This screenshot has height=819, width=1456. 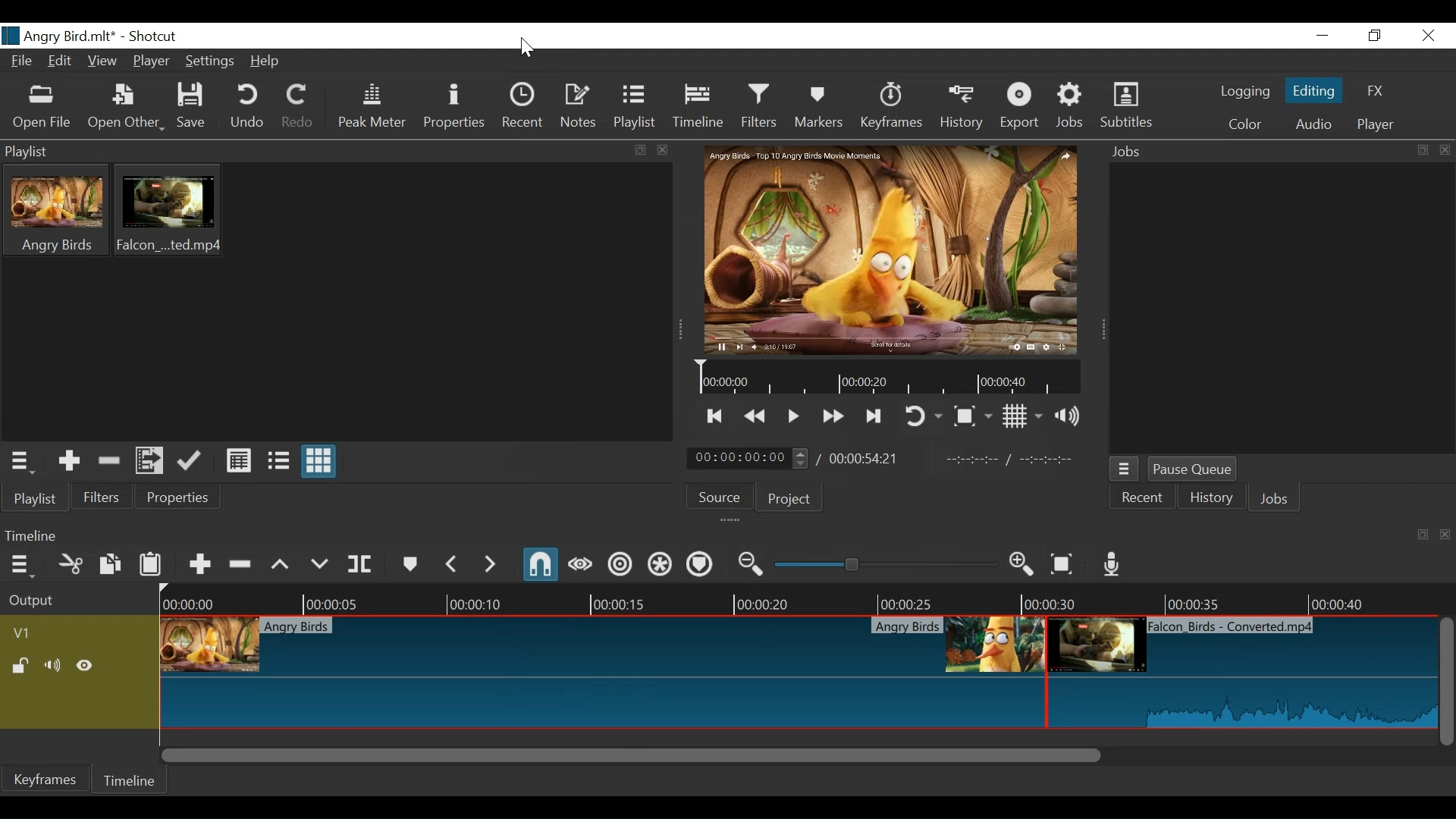 I want to click on Help, so click(x=266, y=59).